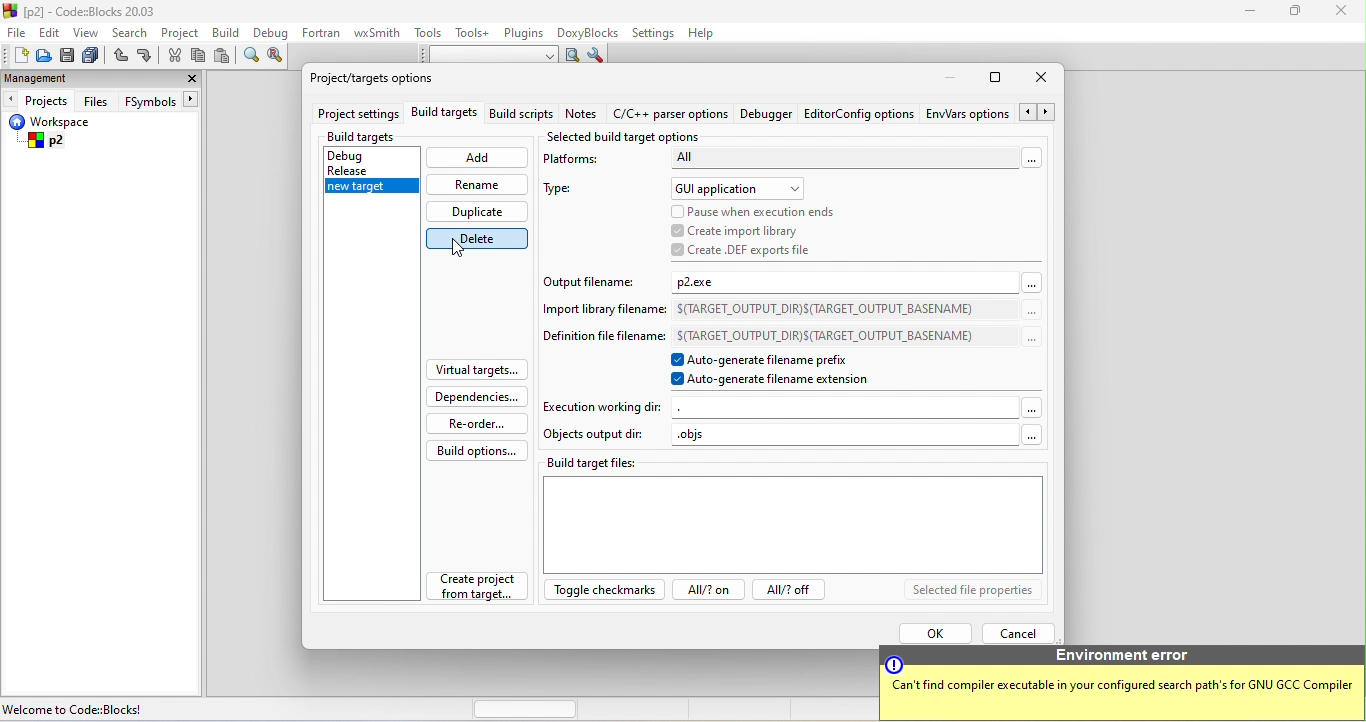 Image resolution: width=1366 pixels, height=722 pixels. I want to click on type, so click(567, 192).